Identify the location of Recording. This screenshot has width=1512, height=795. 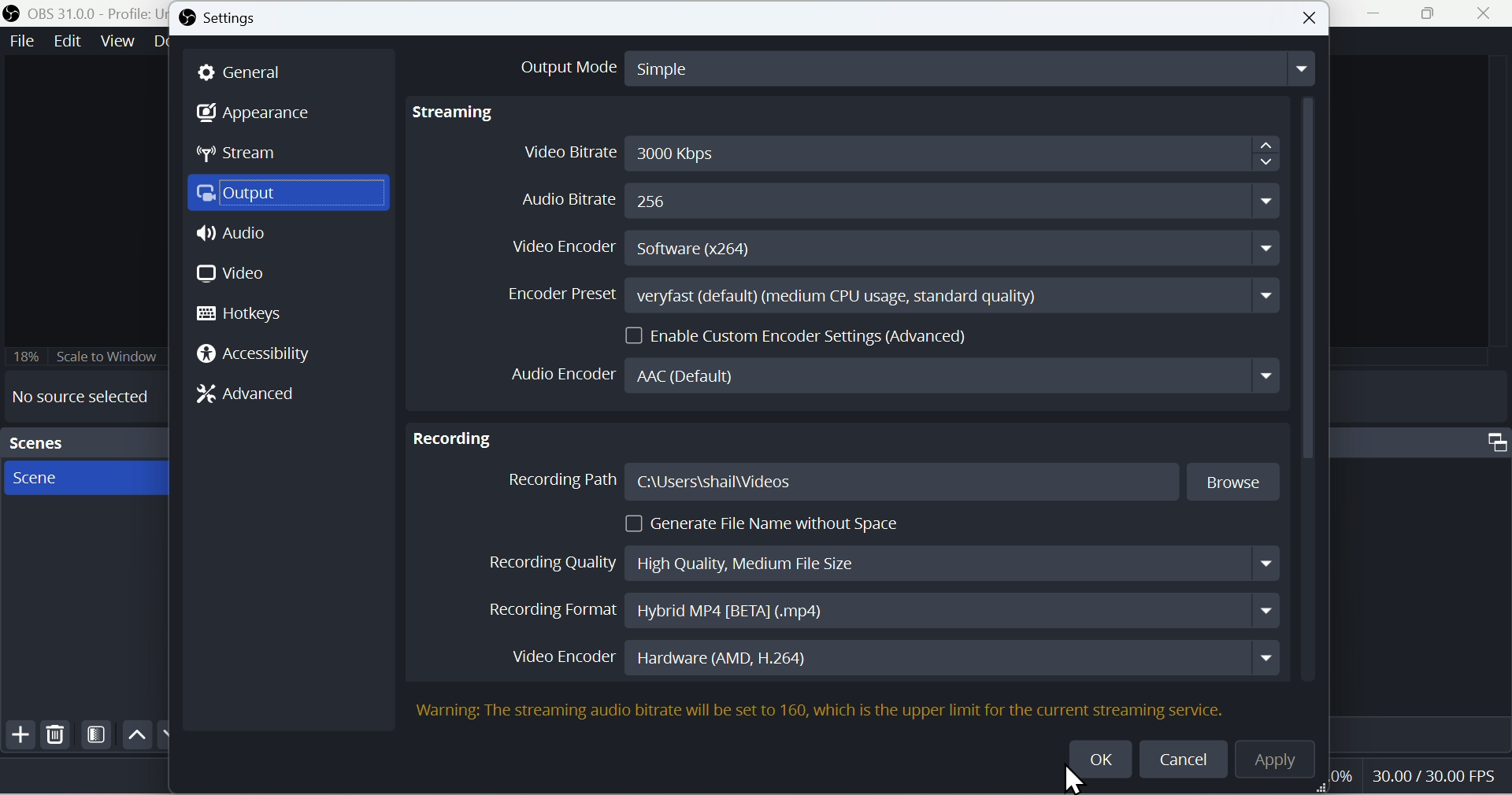
(453, 434).